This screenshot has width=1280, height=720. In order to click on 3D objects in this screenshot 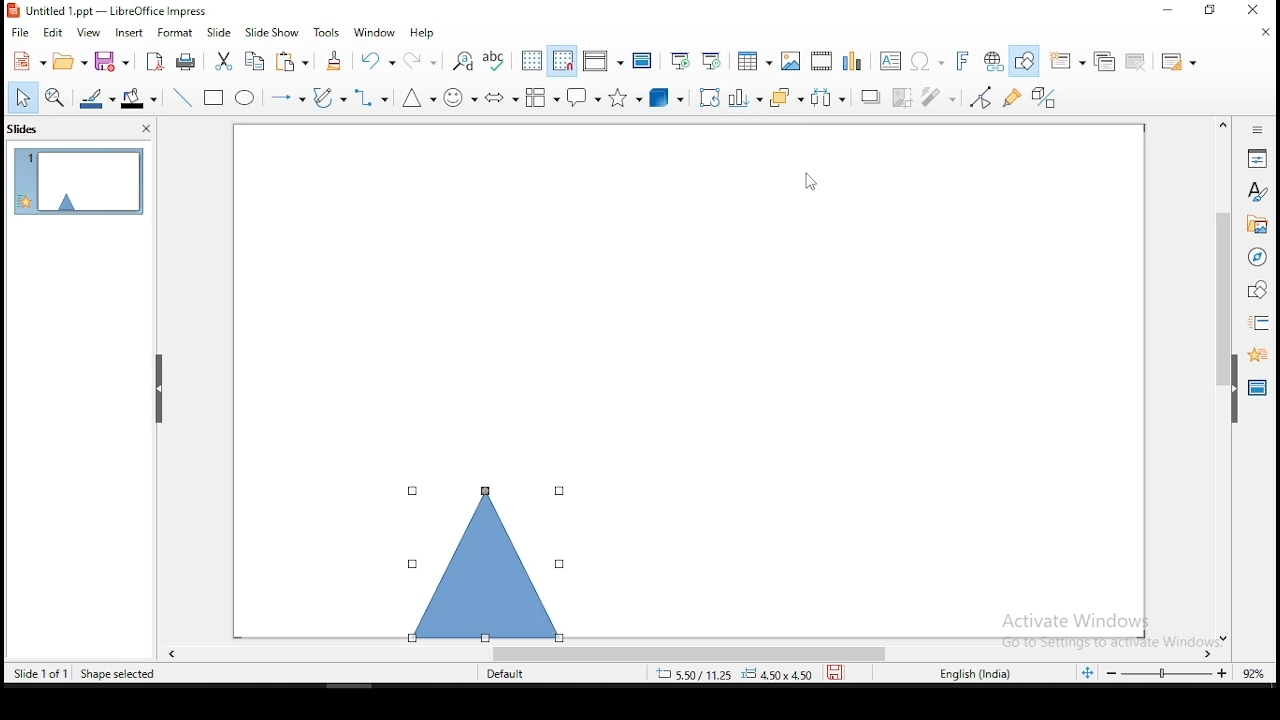, I will do `click(667, 97)`.